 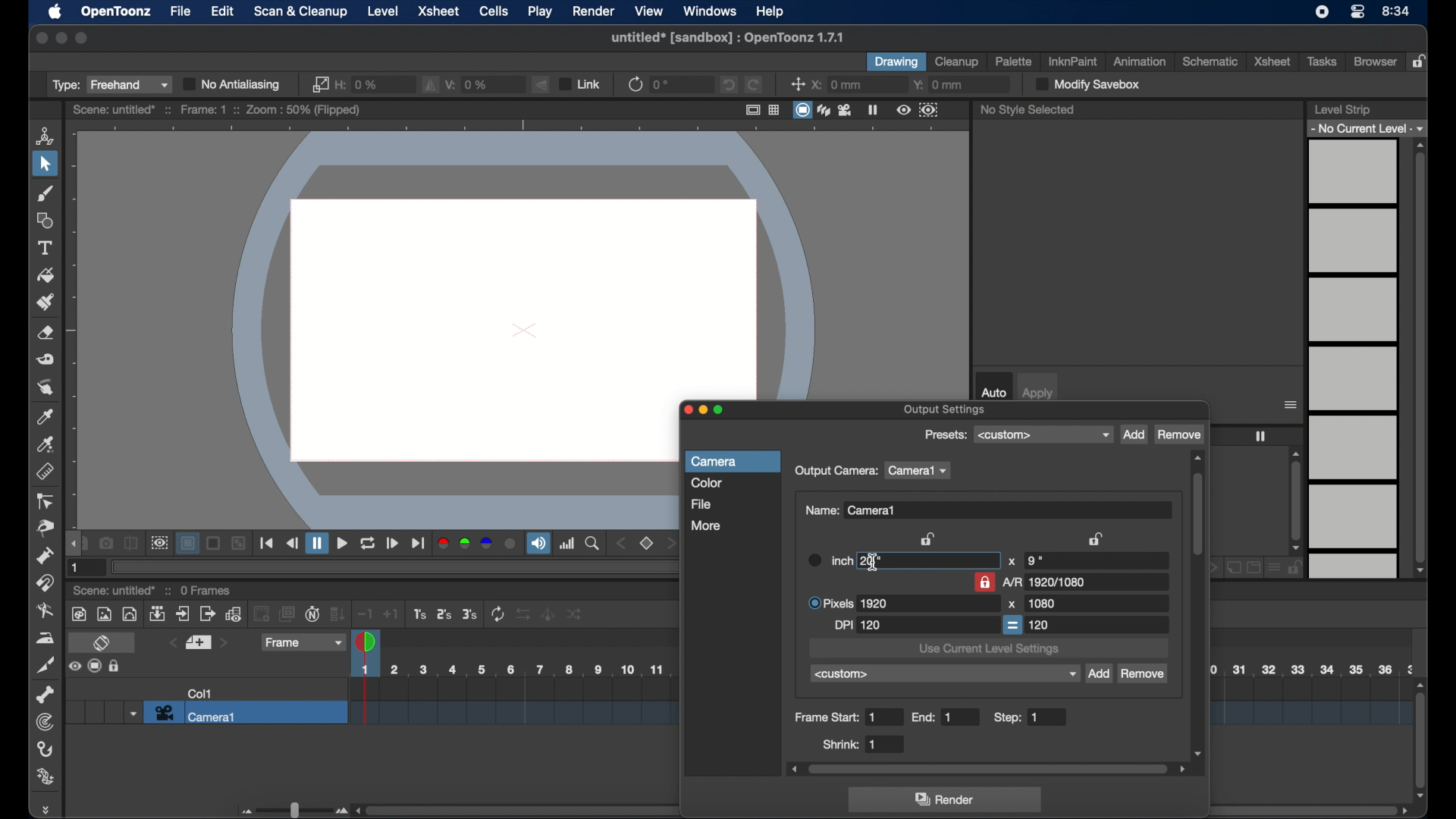 What do you see at coordinates (115, 591) in the screenshot?
I see `scene` at bounding box center [115, 591].